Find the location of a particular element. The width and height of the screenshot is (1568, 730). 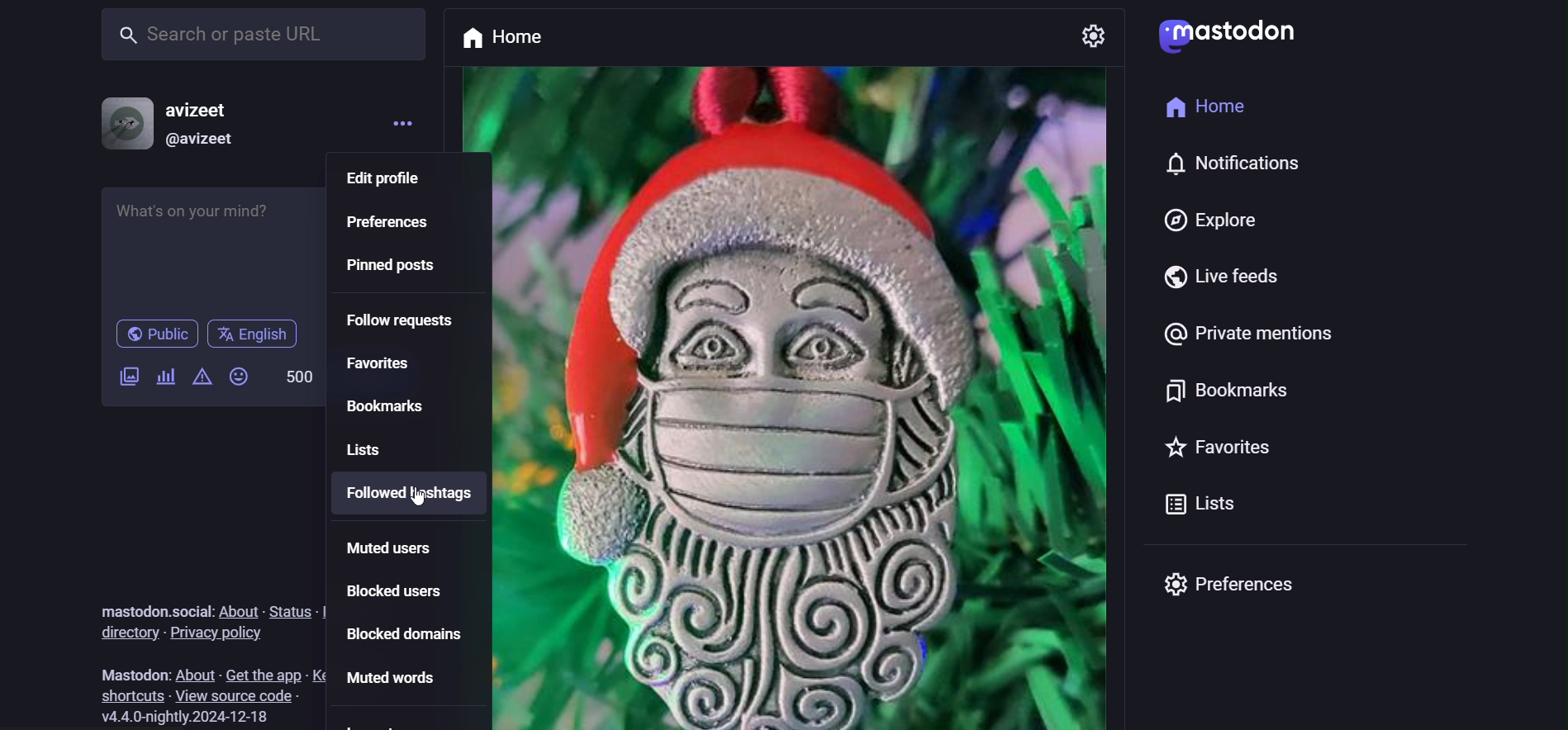

500 is located at coordinates (298, 377).